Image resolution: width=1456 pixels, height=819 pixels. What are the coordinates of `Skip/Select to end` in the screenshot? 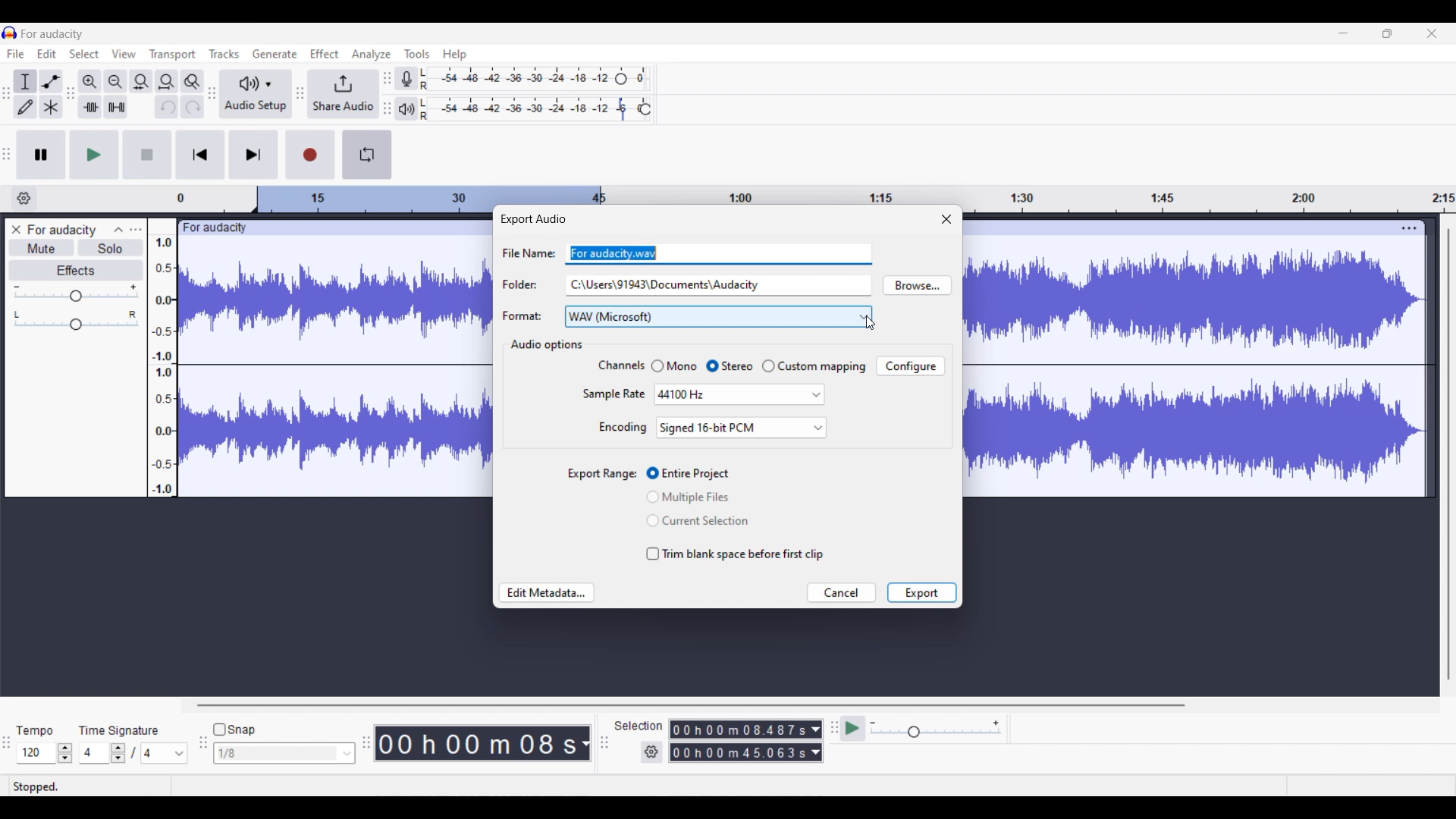 It's located at (254, 154).